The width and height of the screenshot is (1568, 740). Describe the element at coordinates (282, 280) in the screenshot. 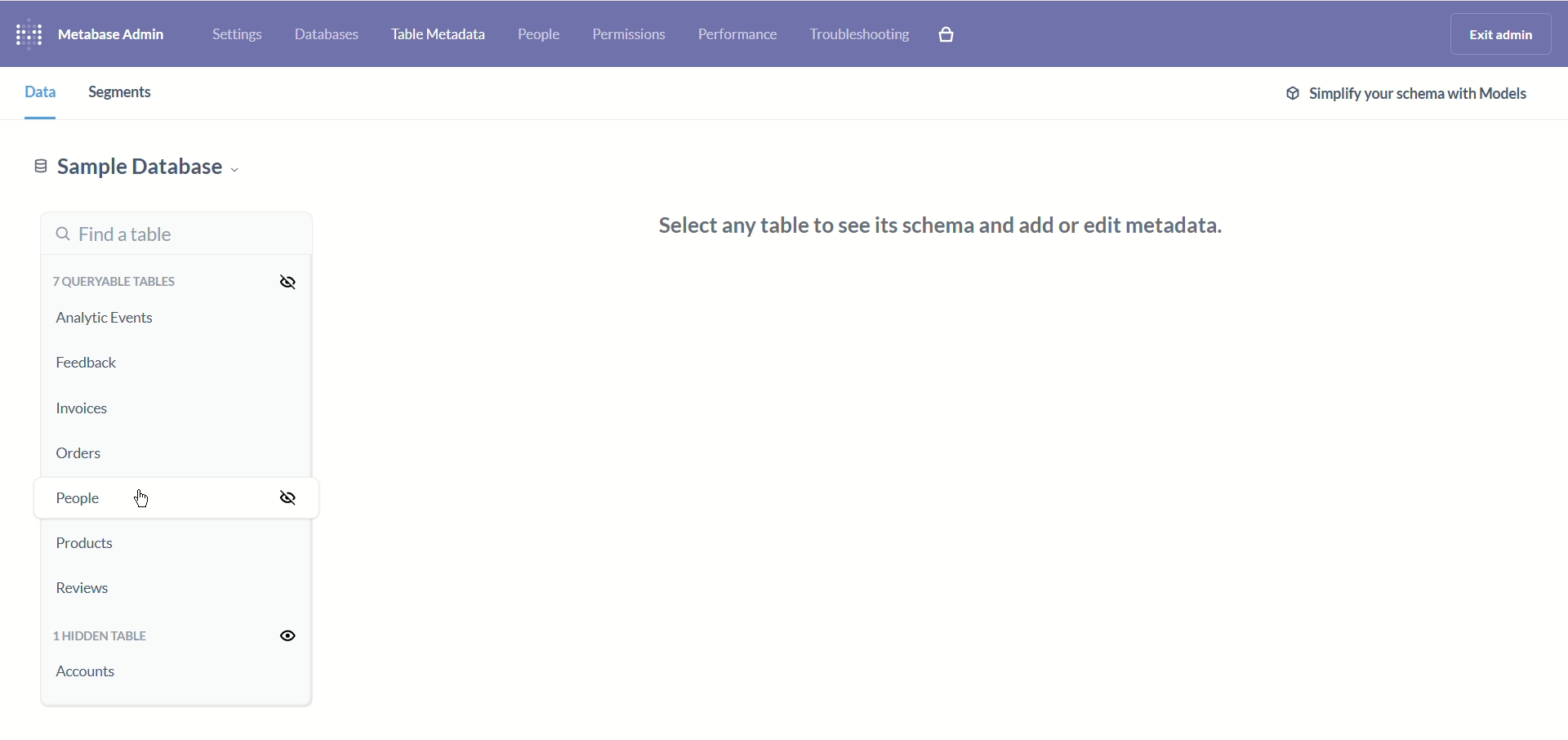

I see `Hide` at that location.